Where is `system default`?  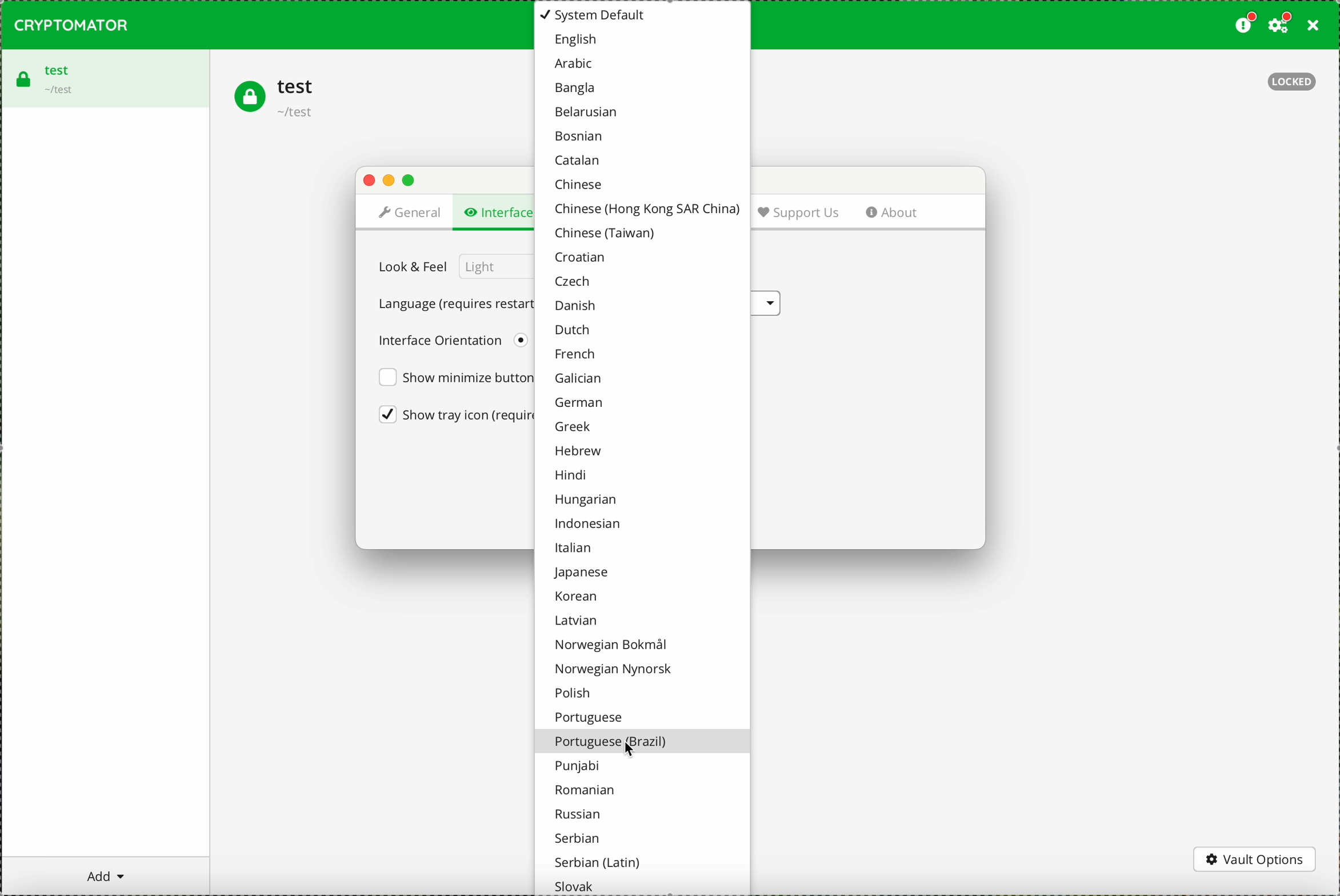
system default is located at coordinates (601, 15).